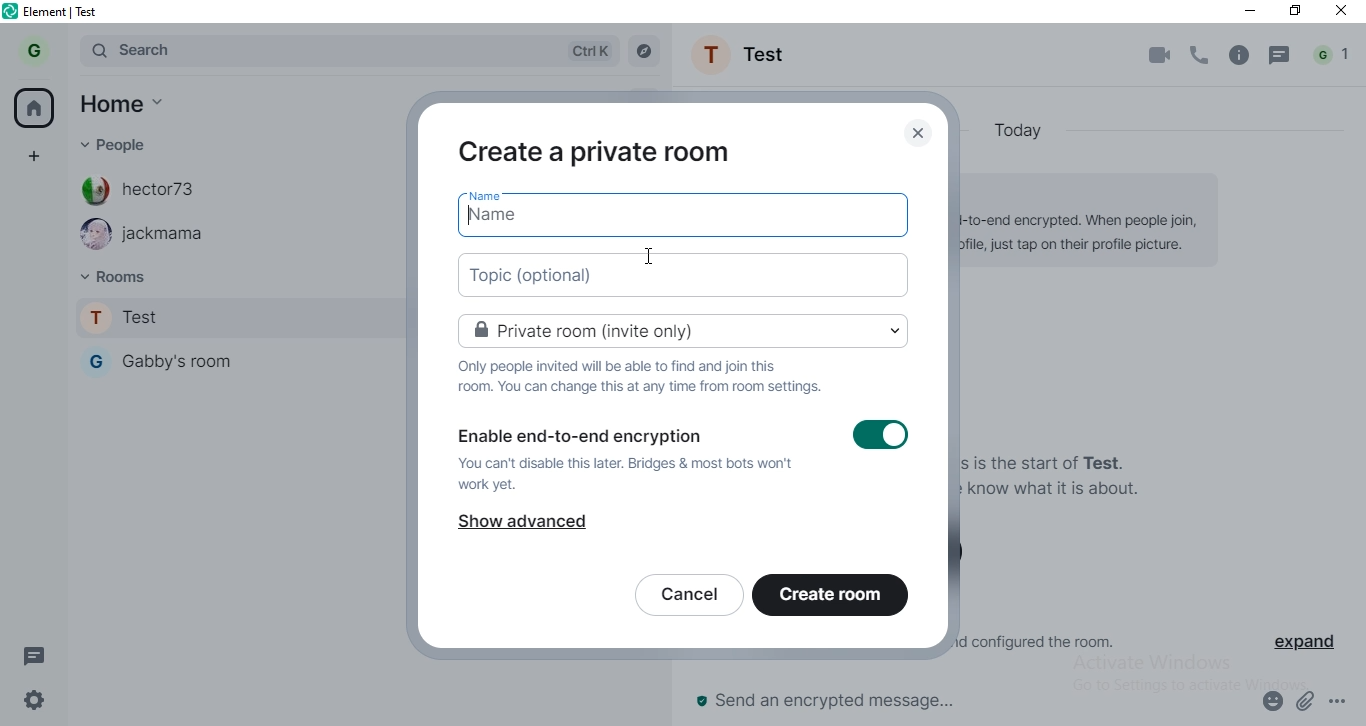 This screenshot has height=726, width=1366. Describe the element at coordinates (34, 659) in the screenshot. I see `message` at that location.